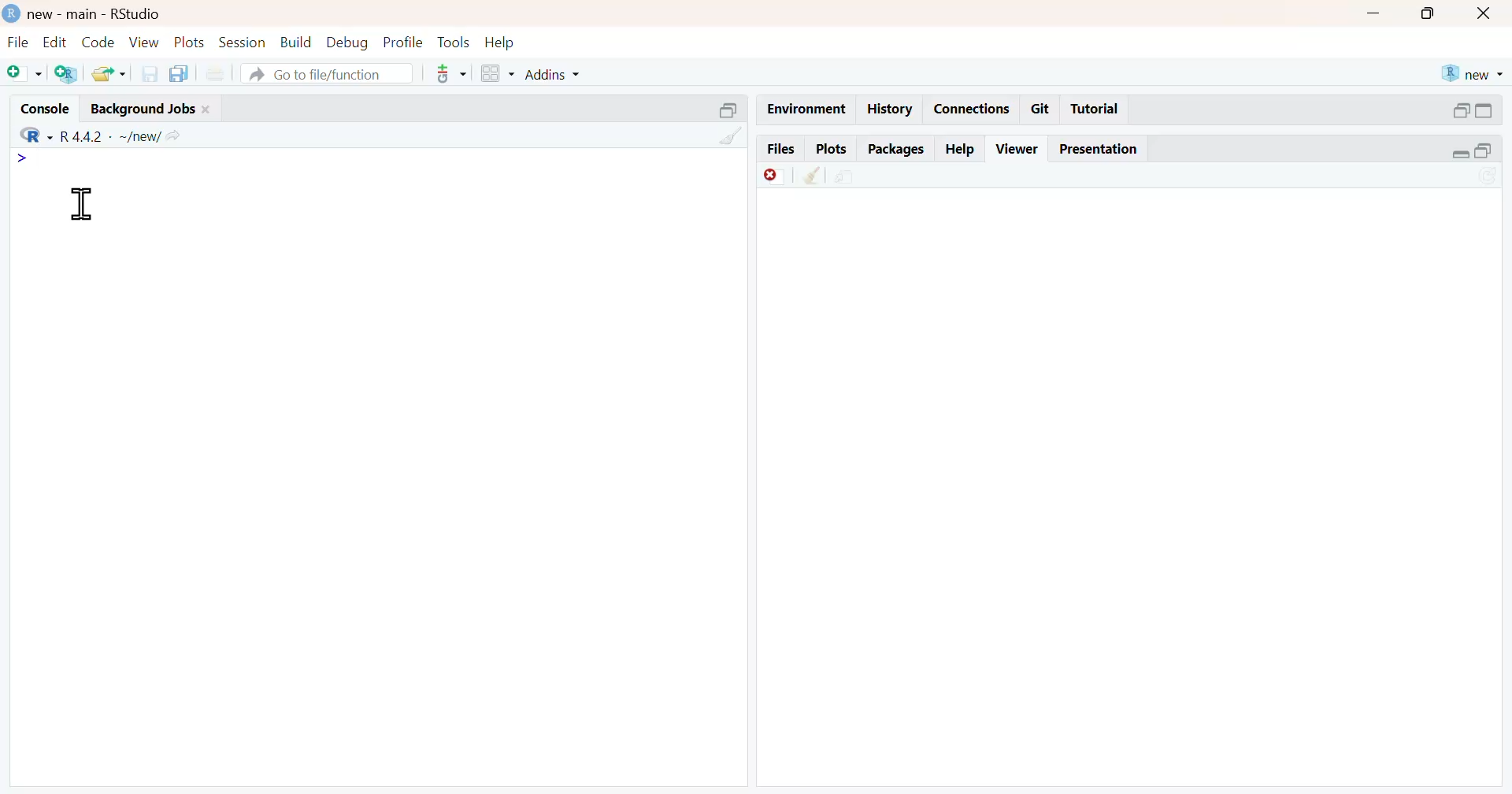  What do you see at coordinates (782, 149) in the screenshot?
I see `files` at bounding box center [782, 149].